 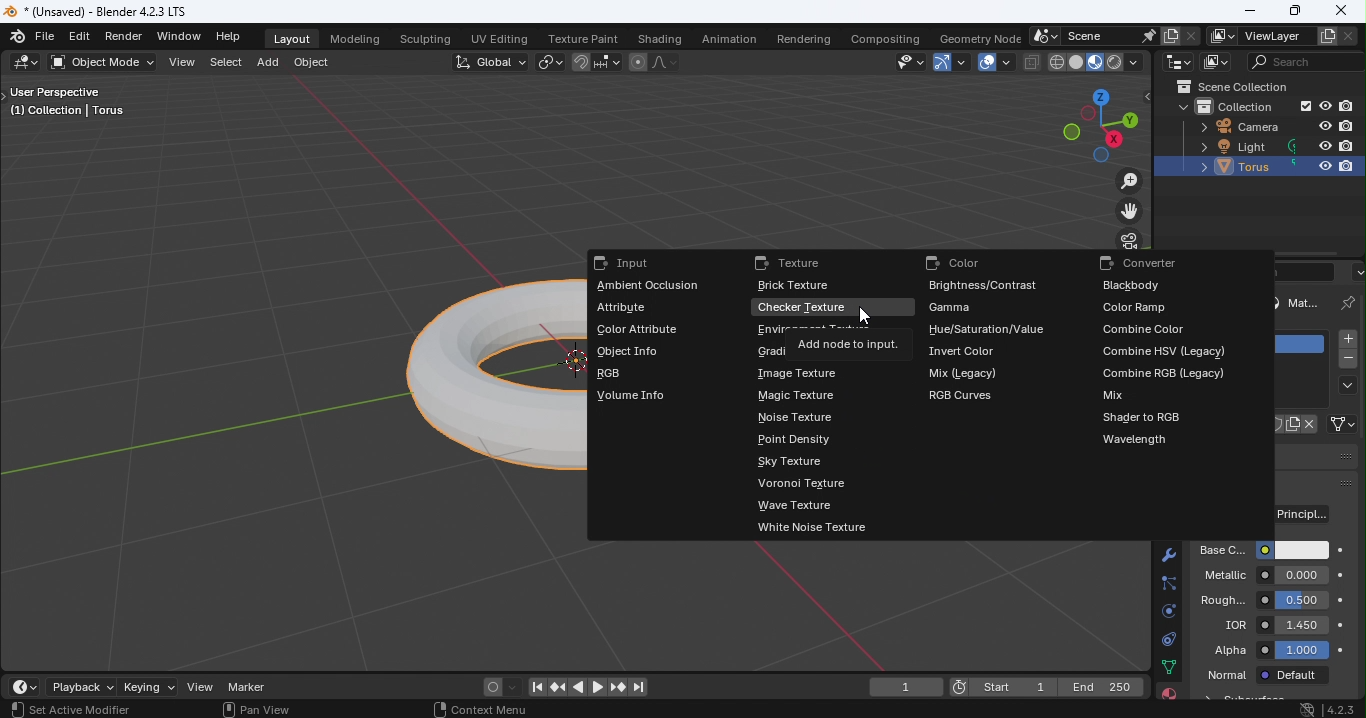 I want to click on Hide in viewpoint, so click(x=1325, y=147).